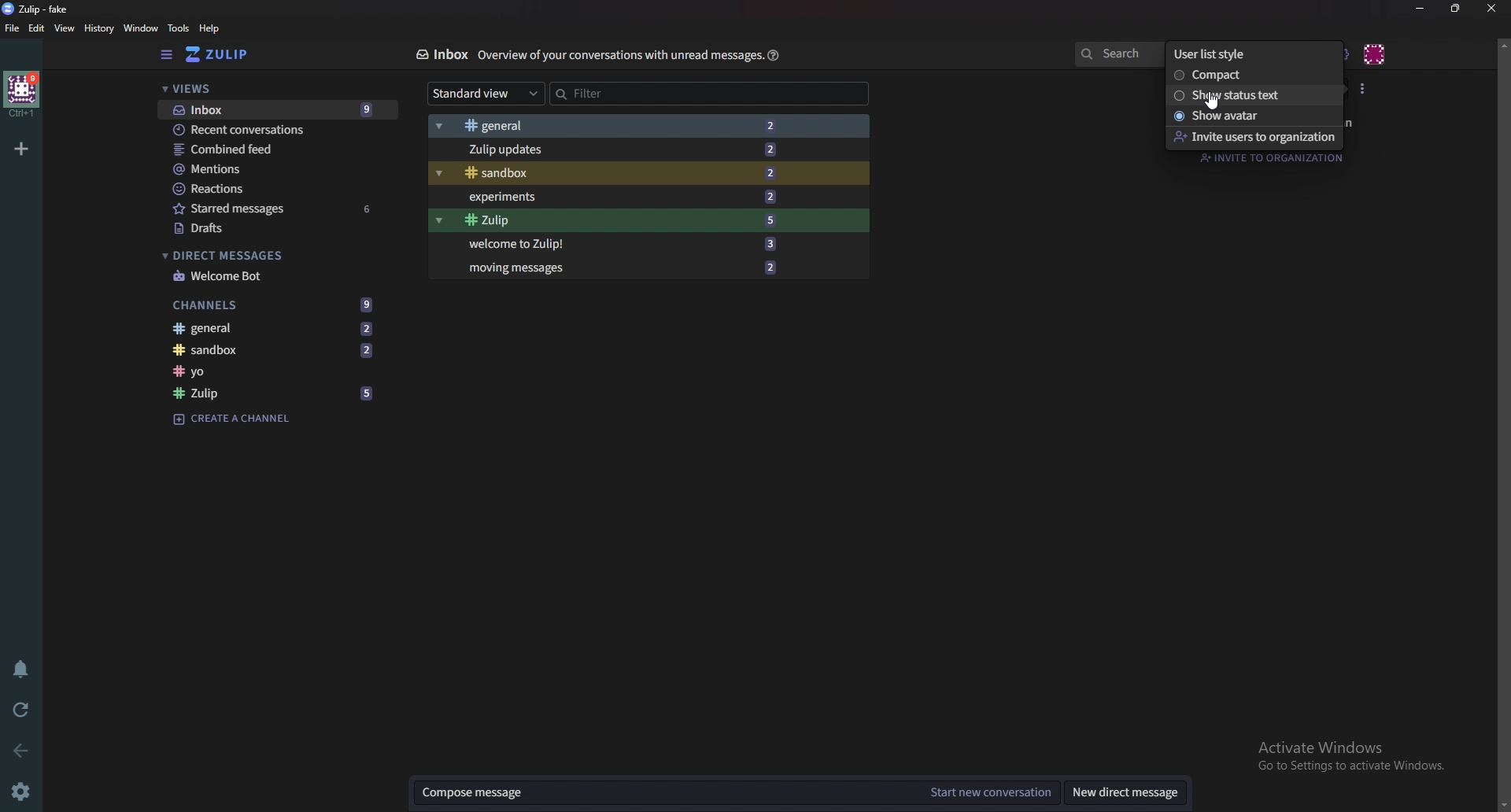 This screenshot has width=1511, height=812. I want to click on Moving messages, so click(619, 270).